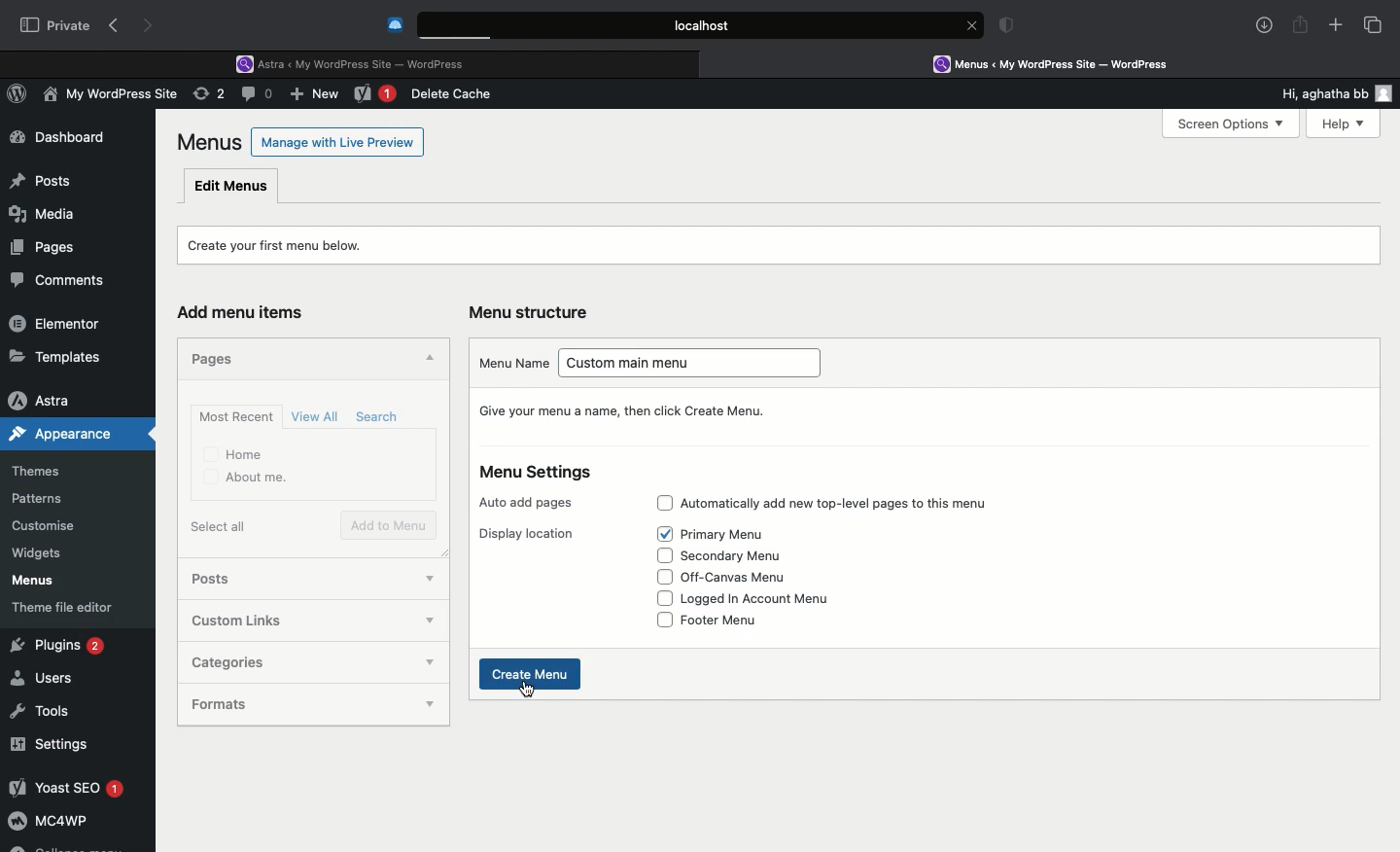 The height and width of the screenshot is (852, 1400). What do you see at coordinates (455, 94) in the screenshot?
I see `Delete cache` at bounding box center [455, 94].